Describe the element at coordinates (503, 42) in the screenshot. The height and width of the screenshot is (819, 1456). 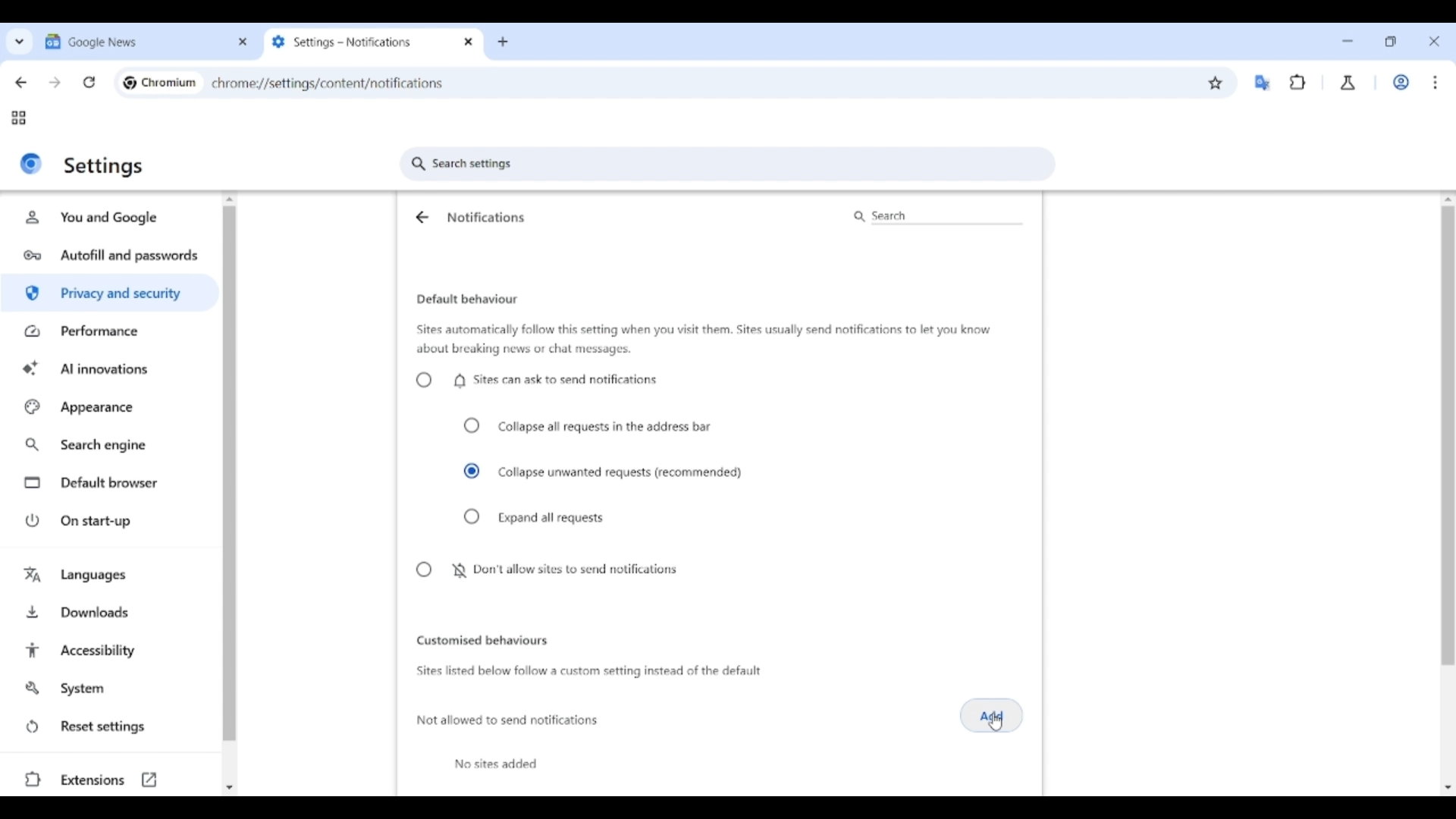
I see `Add new tab` at that location.